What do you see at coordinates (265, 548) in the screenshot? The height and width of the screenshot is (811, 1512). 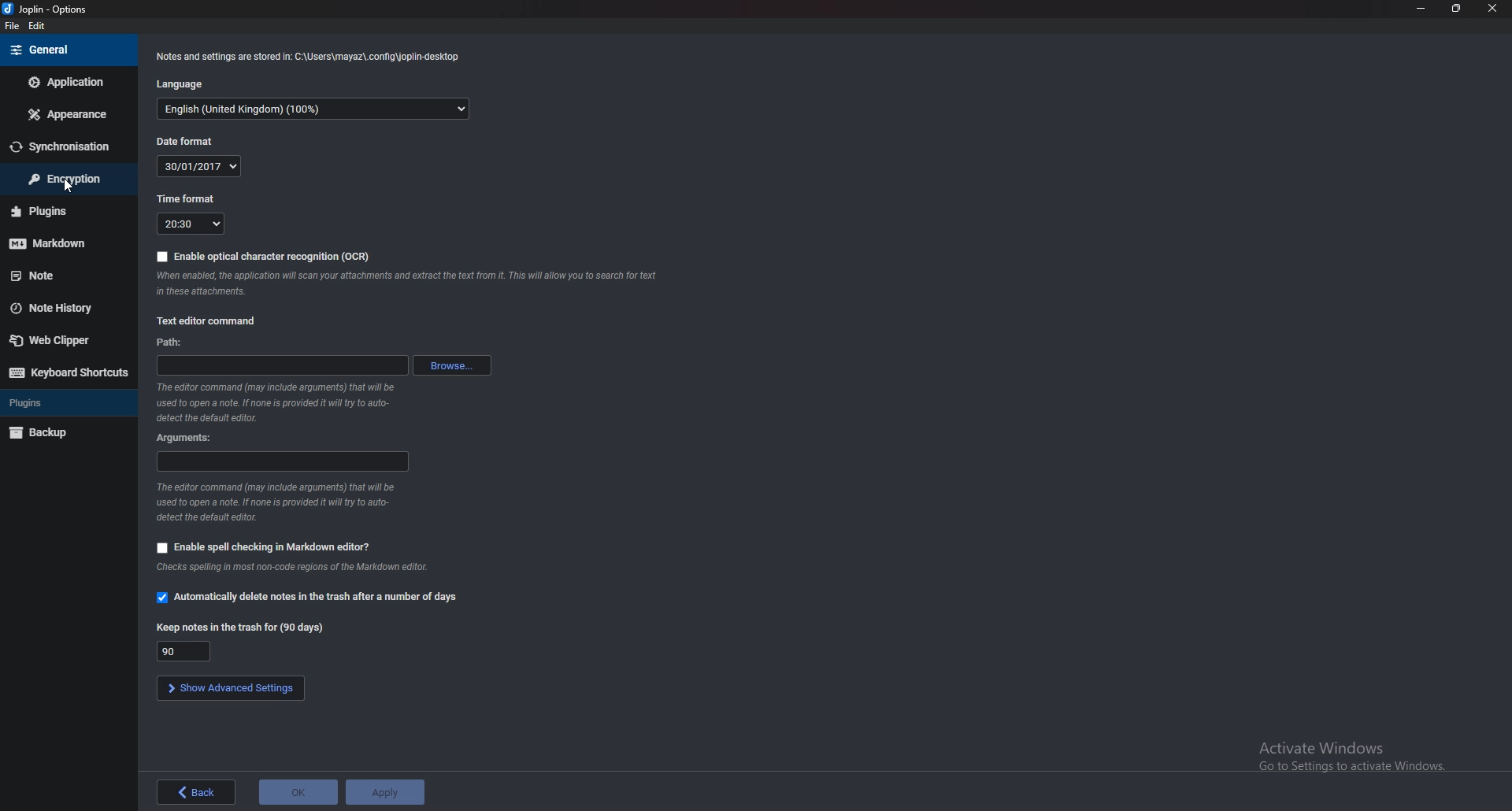 I see `enable spell check` at bounding box center [265, 548].